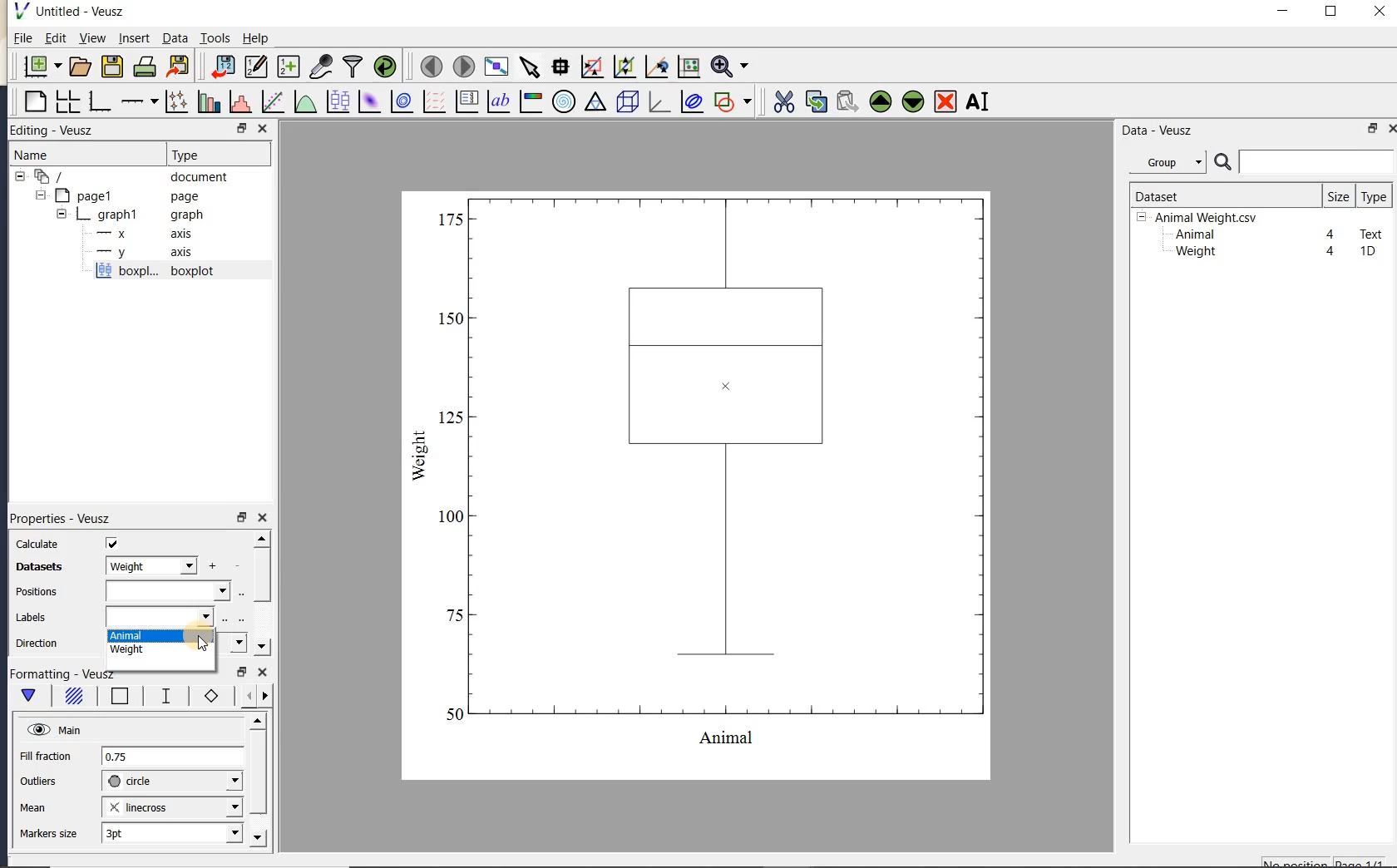 The width and height of the screenshot is (1397, 868). Describe the element at coordinates (335, 102) in the screenshot. I see `plot box plots` at that location.